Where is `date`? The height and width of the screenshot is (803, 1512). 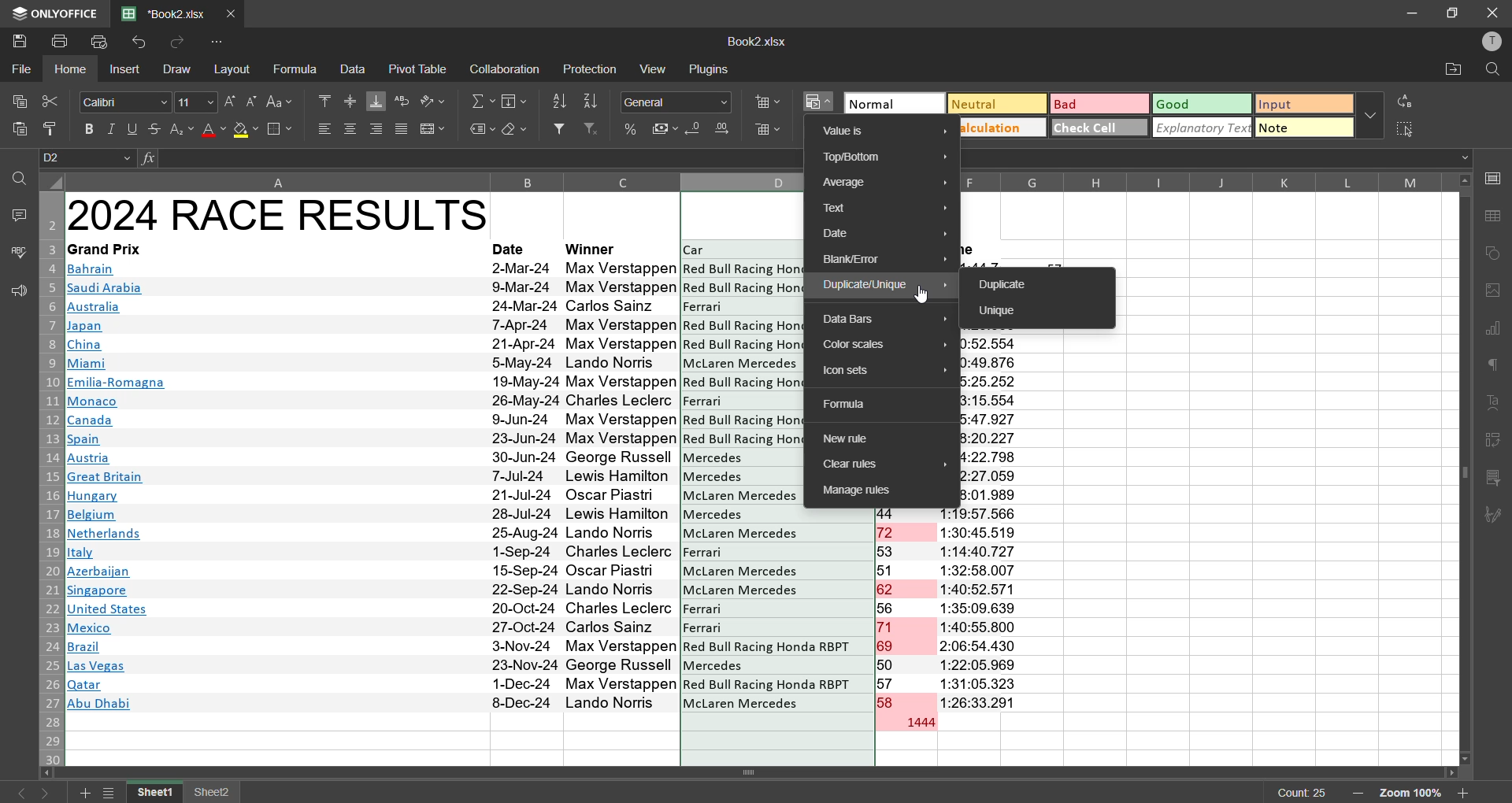 date is located at coordinates (886, 235).